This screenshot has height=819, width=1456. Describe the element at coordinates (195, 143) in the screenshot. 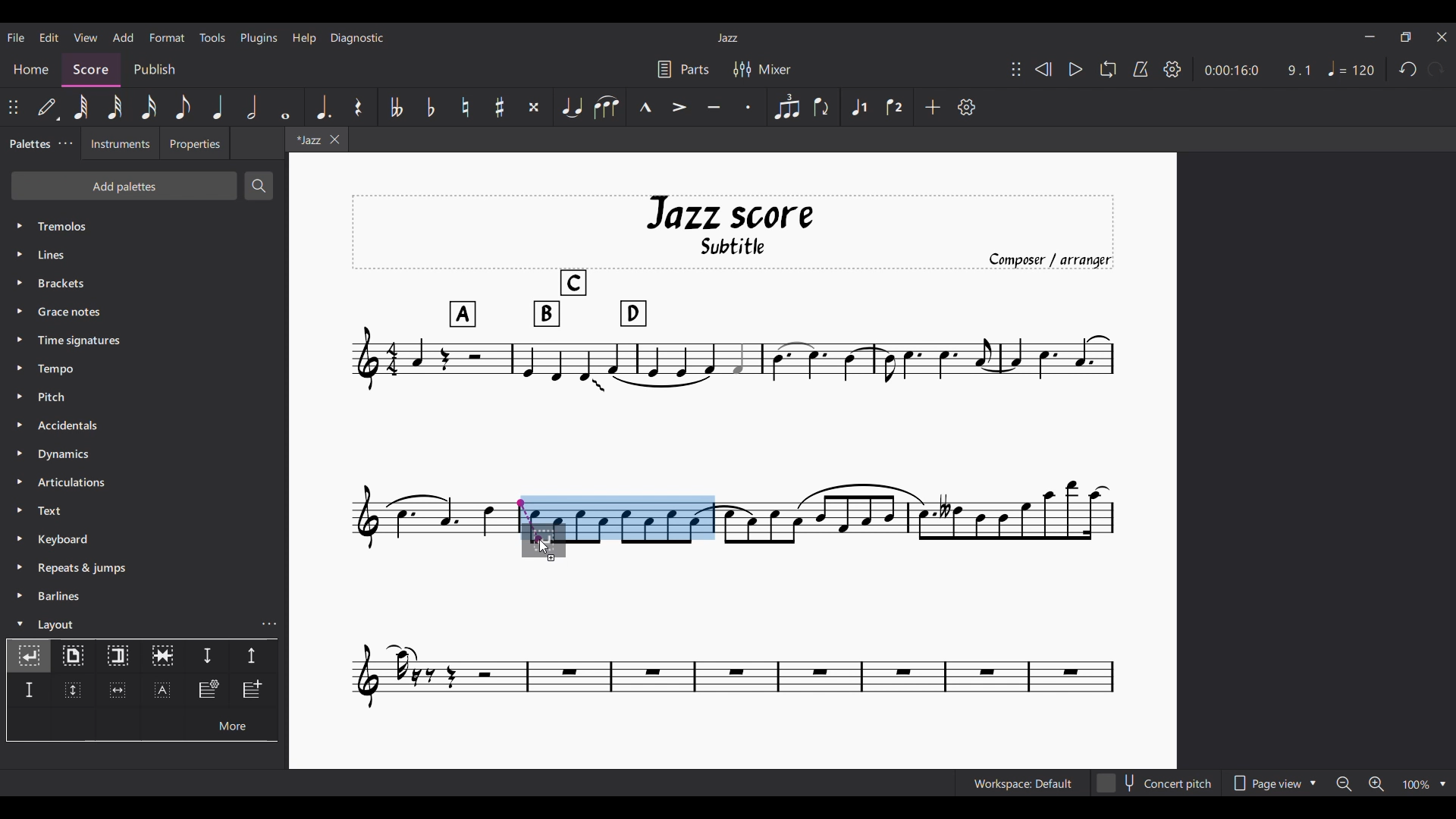

I see `Properties` at that location.